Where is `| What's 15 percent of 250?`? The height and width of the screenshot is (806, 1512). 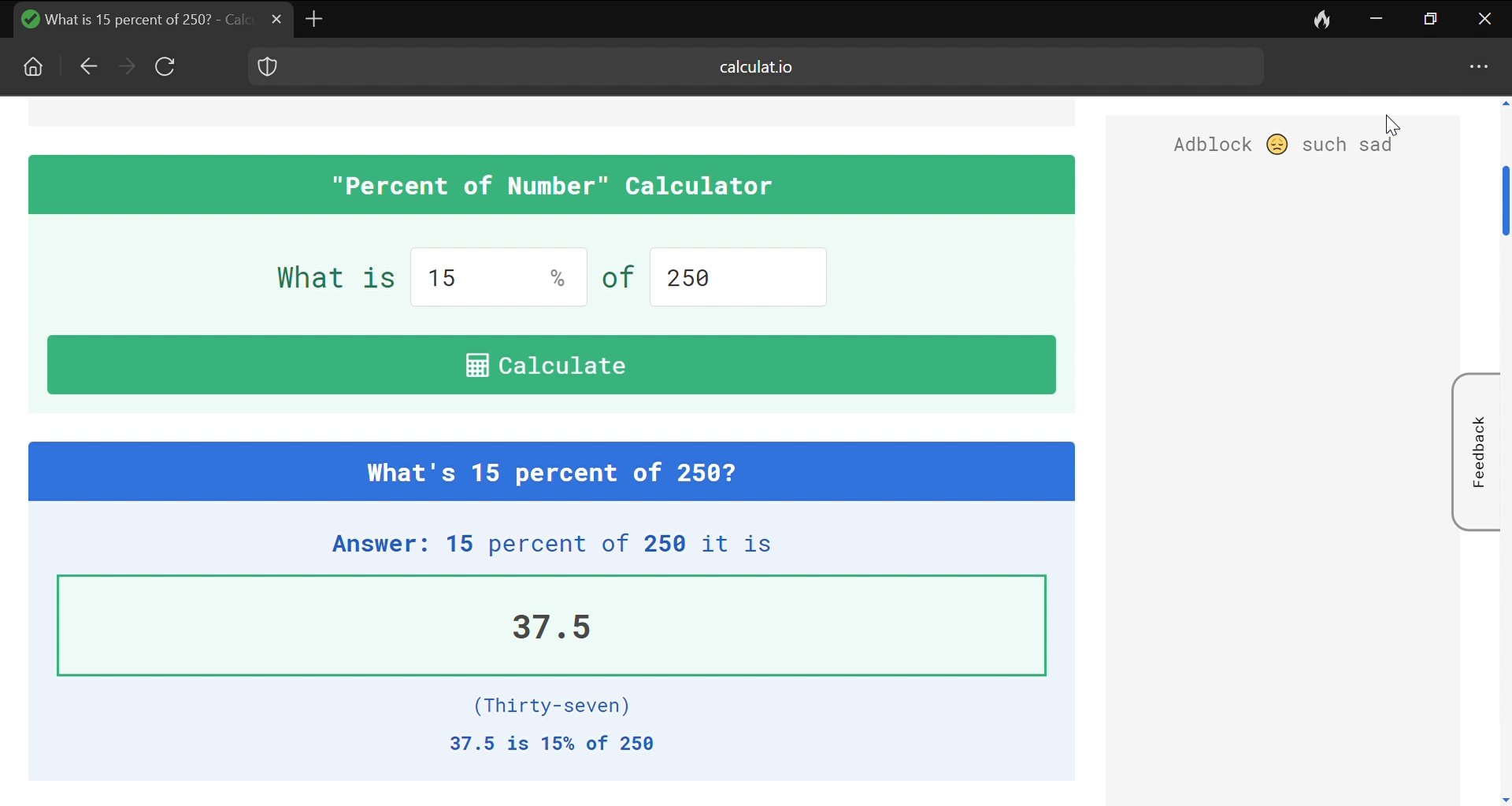 | What's 15 percent of 250? is located at coordinates (547, 473).